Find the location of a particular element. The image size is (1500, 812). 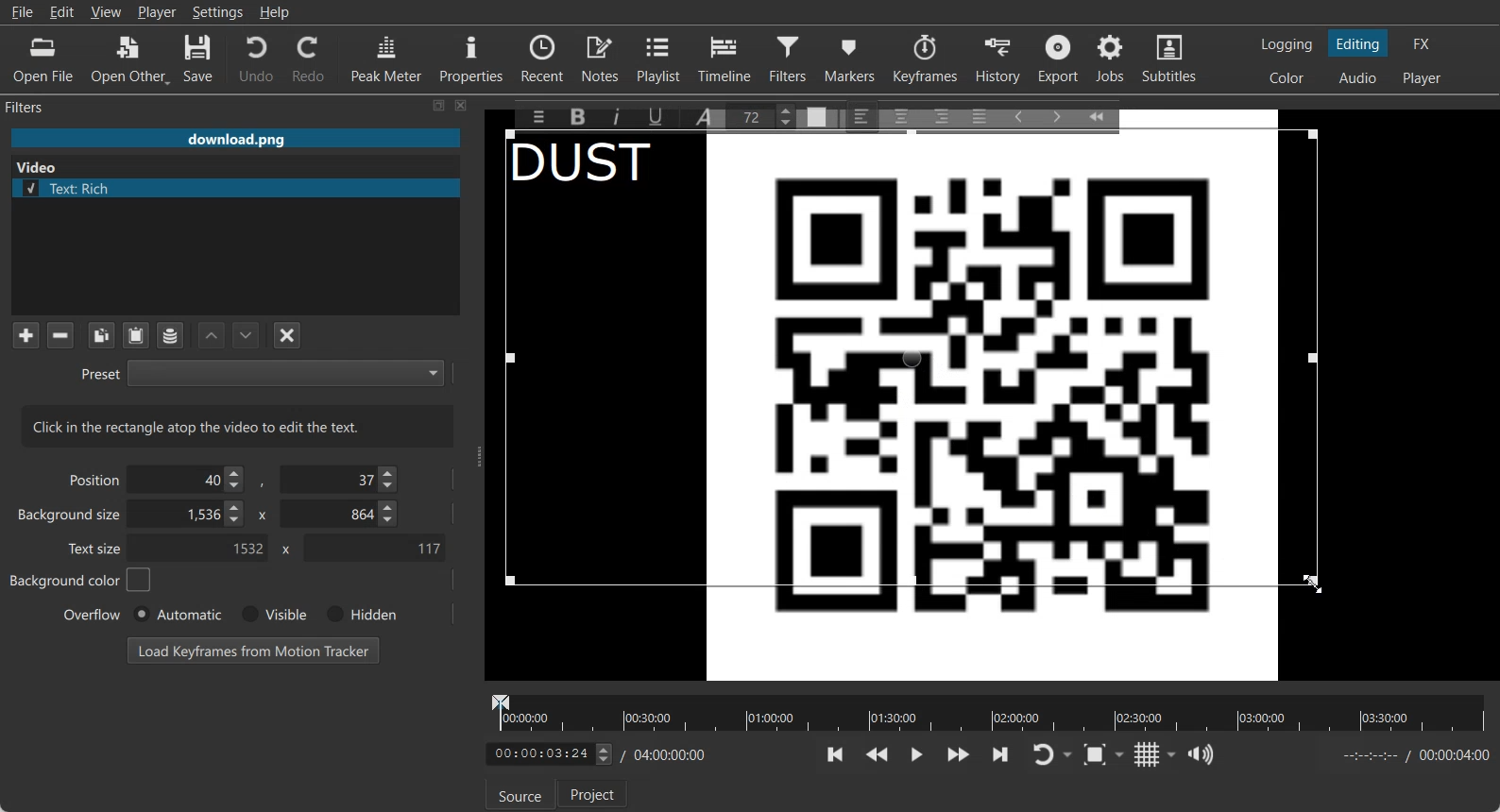

Open Other is located at coordinates (130, 59).